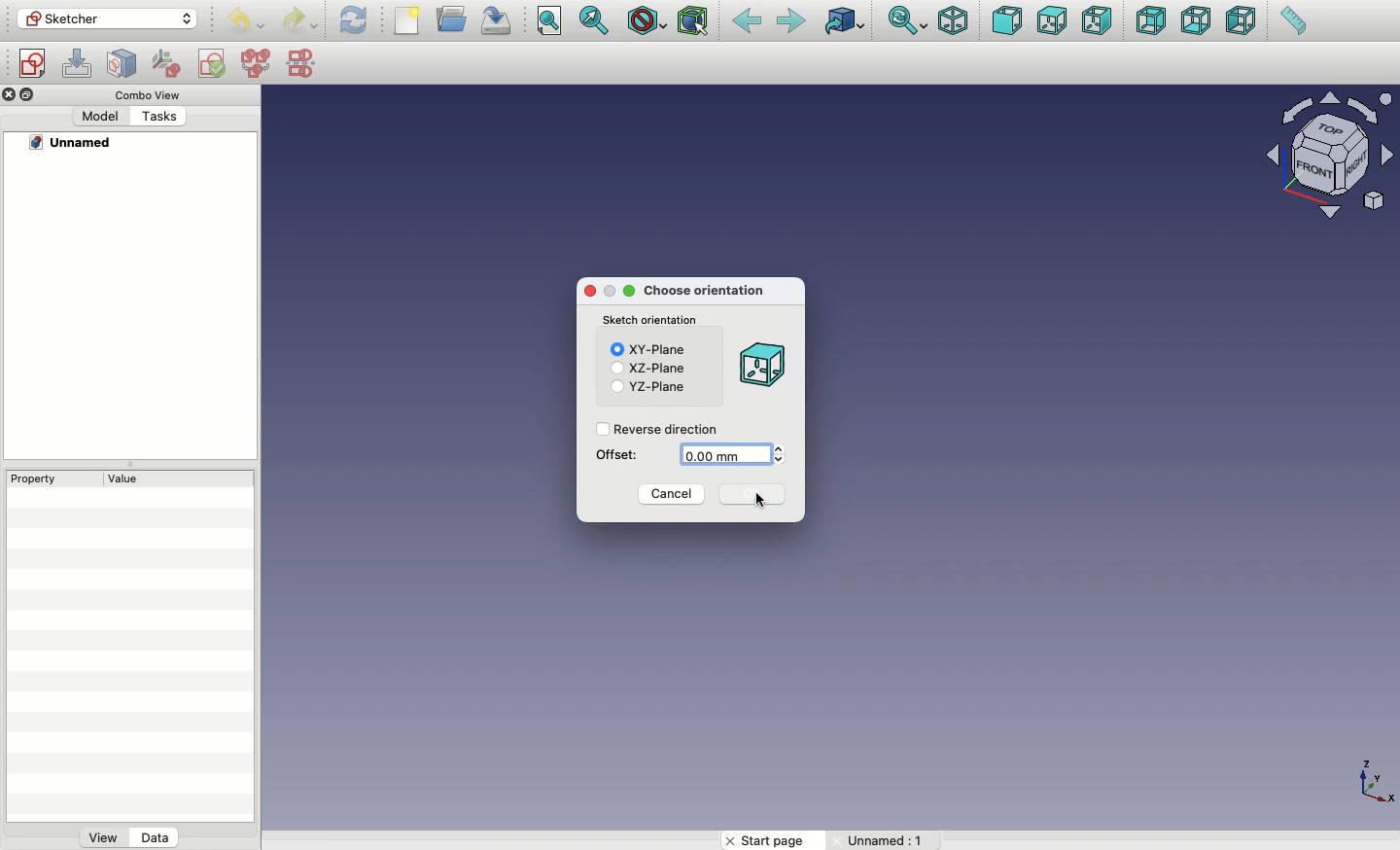  Describe the element at coordinates (596, 19) in the screenshot. I see `Fit selection` at that location.